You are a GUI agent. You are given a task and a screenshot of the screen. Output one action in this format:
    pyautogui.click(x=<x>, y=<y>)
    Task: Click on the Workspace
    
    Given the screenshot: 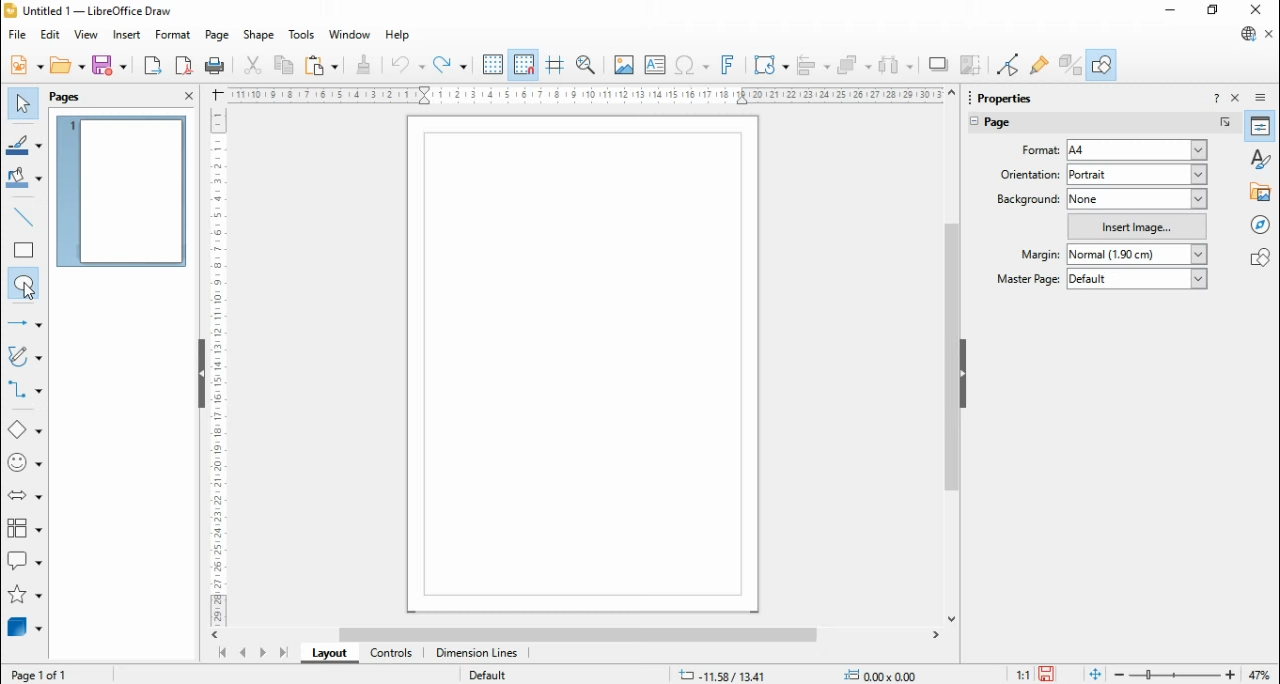 What is the action you would take?
    pyautogui.click(x=584, y=364)
    